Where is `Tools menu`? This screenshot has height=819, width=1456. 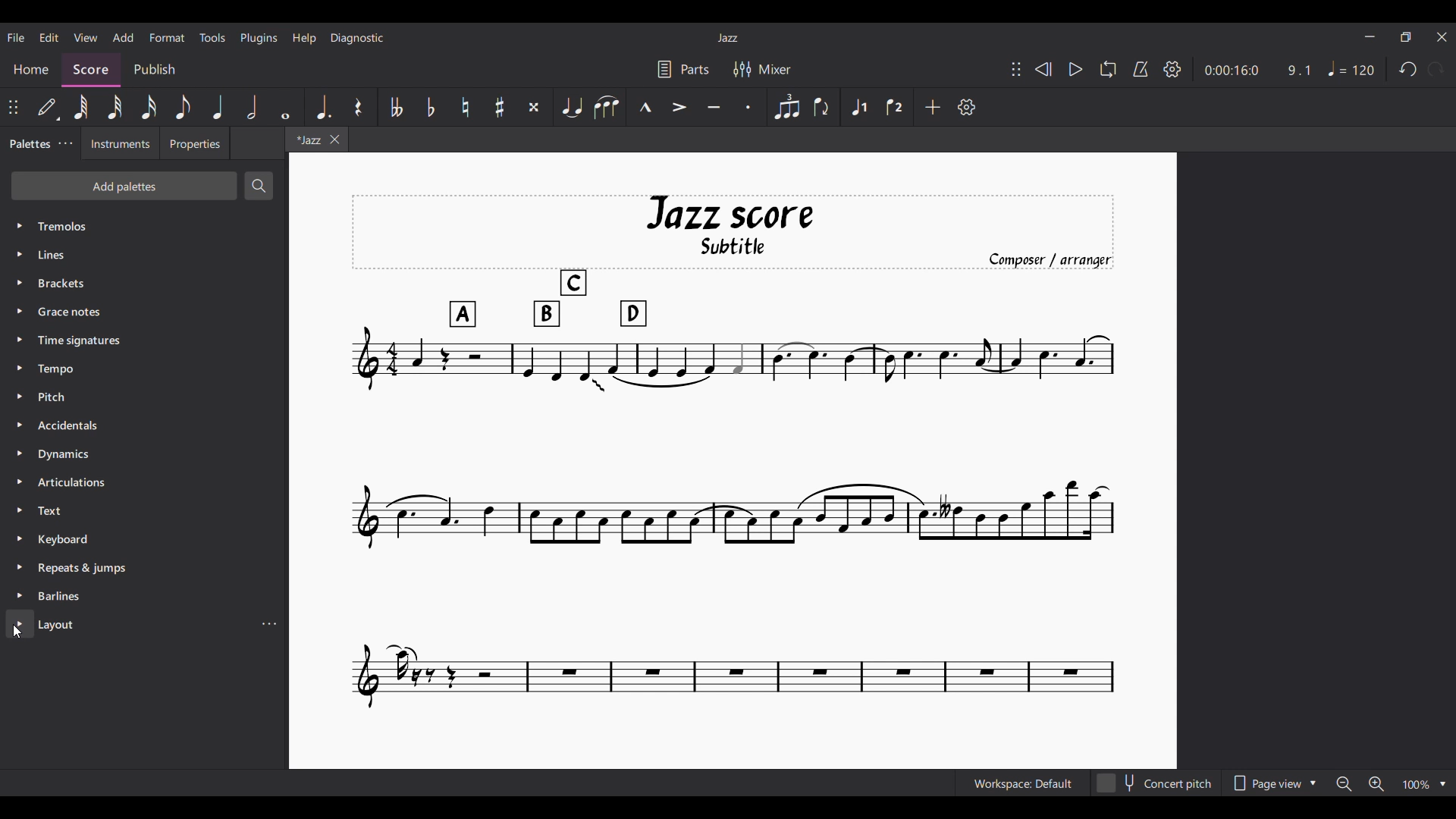 Tools menu is located at coordinates (212, 37).